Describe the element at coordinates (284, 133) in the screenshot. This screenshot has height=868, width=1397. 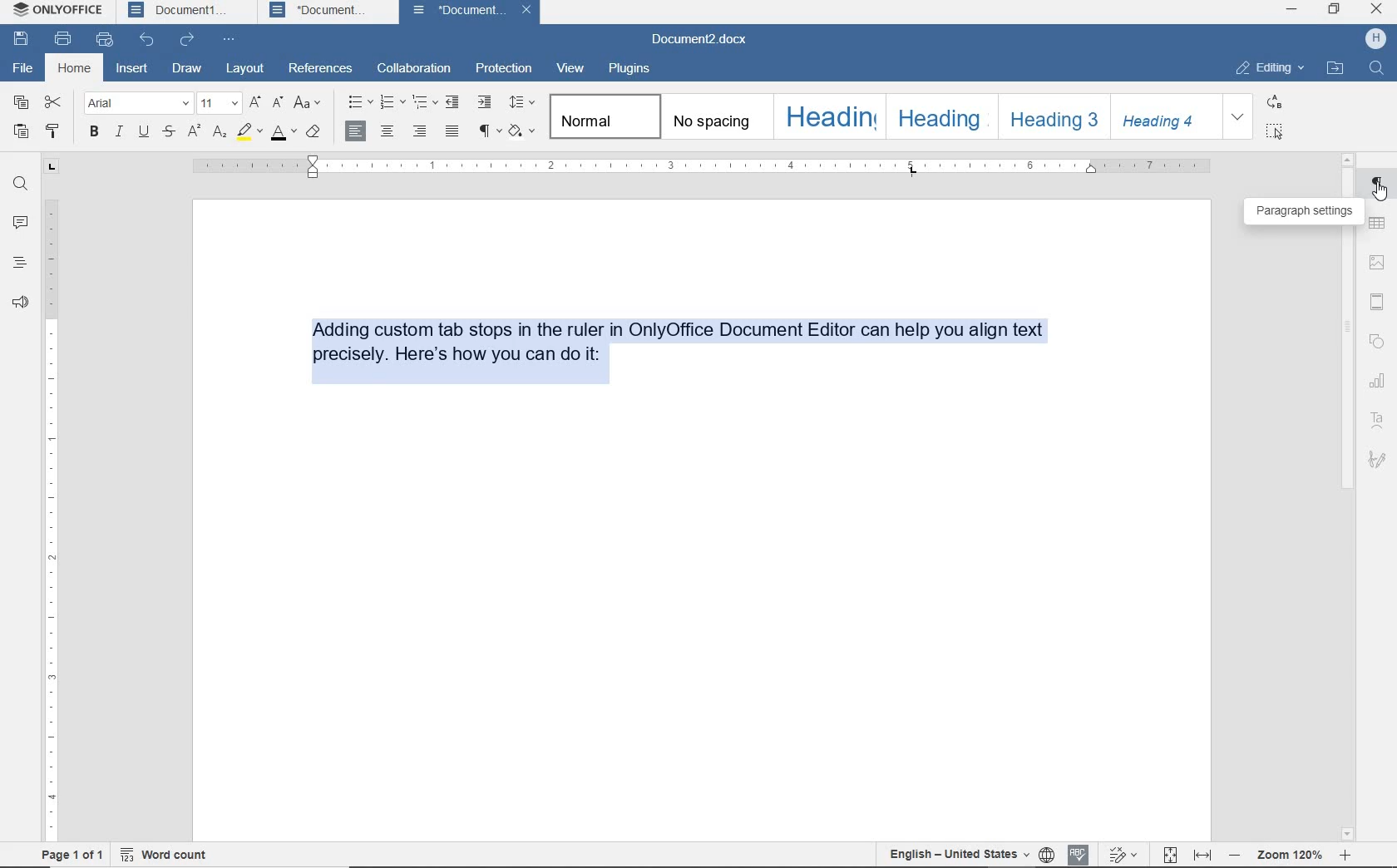
I see `font color` at that location.